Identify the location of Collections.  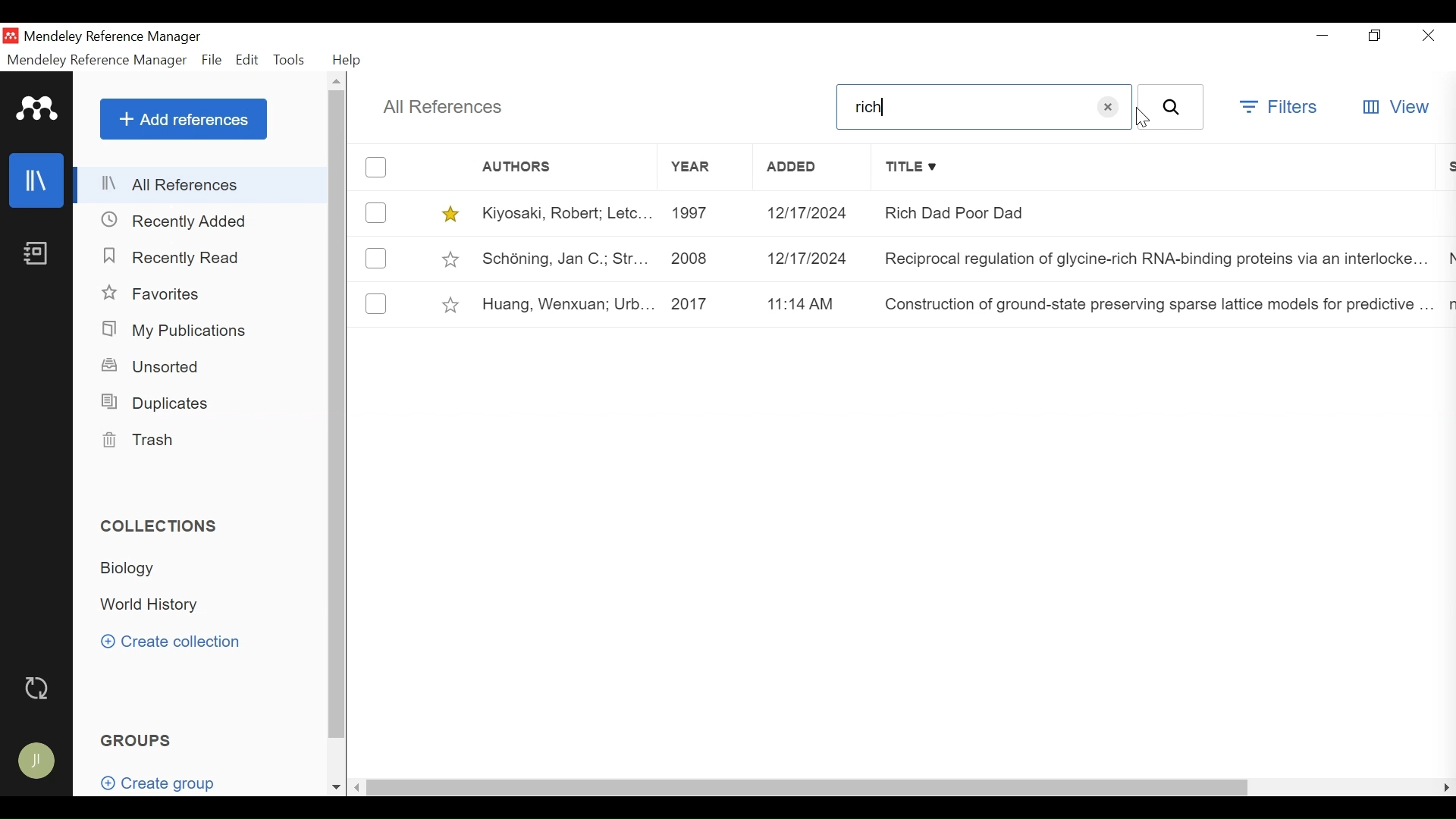
(158, 526).